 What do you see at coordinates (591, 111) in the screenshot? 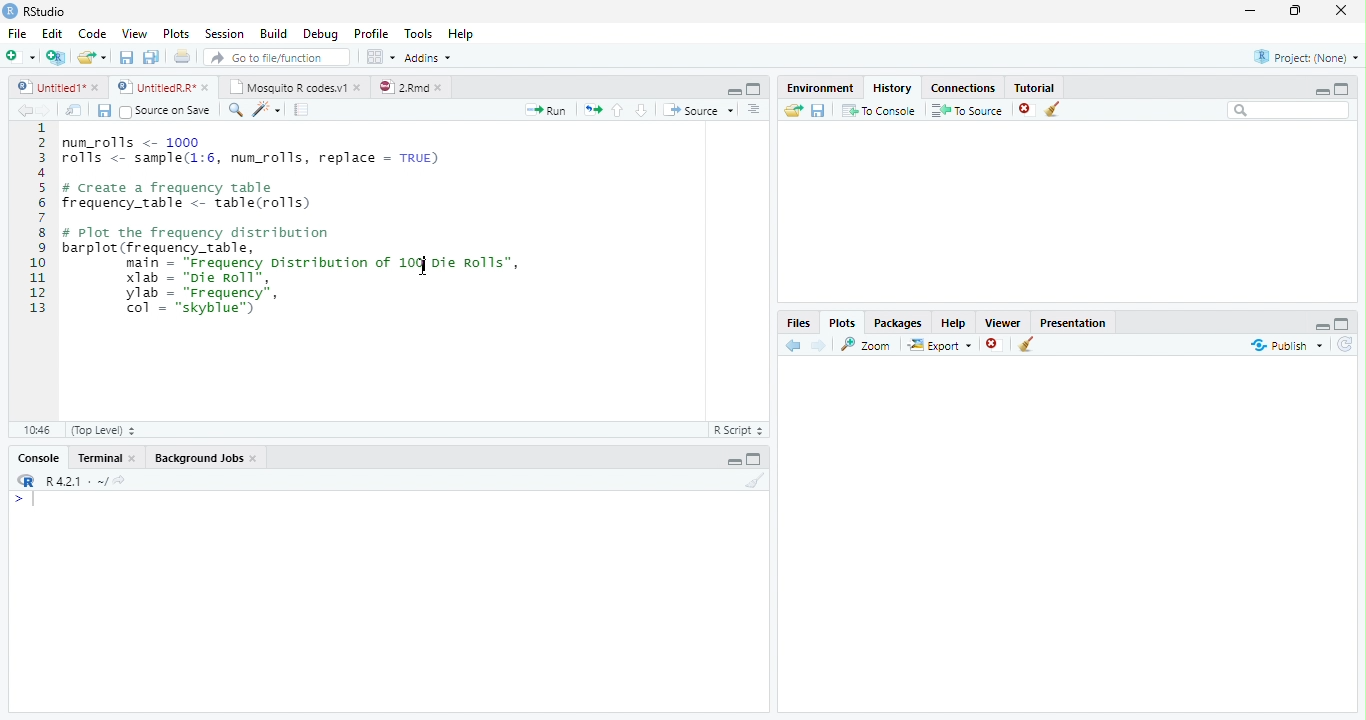
I see `Re run previous code region` at bounding box center [591, 111].